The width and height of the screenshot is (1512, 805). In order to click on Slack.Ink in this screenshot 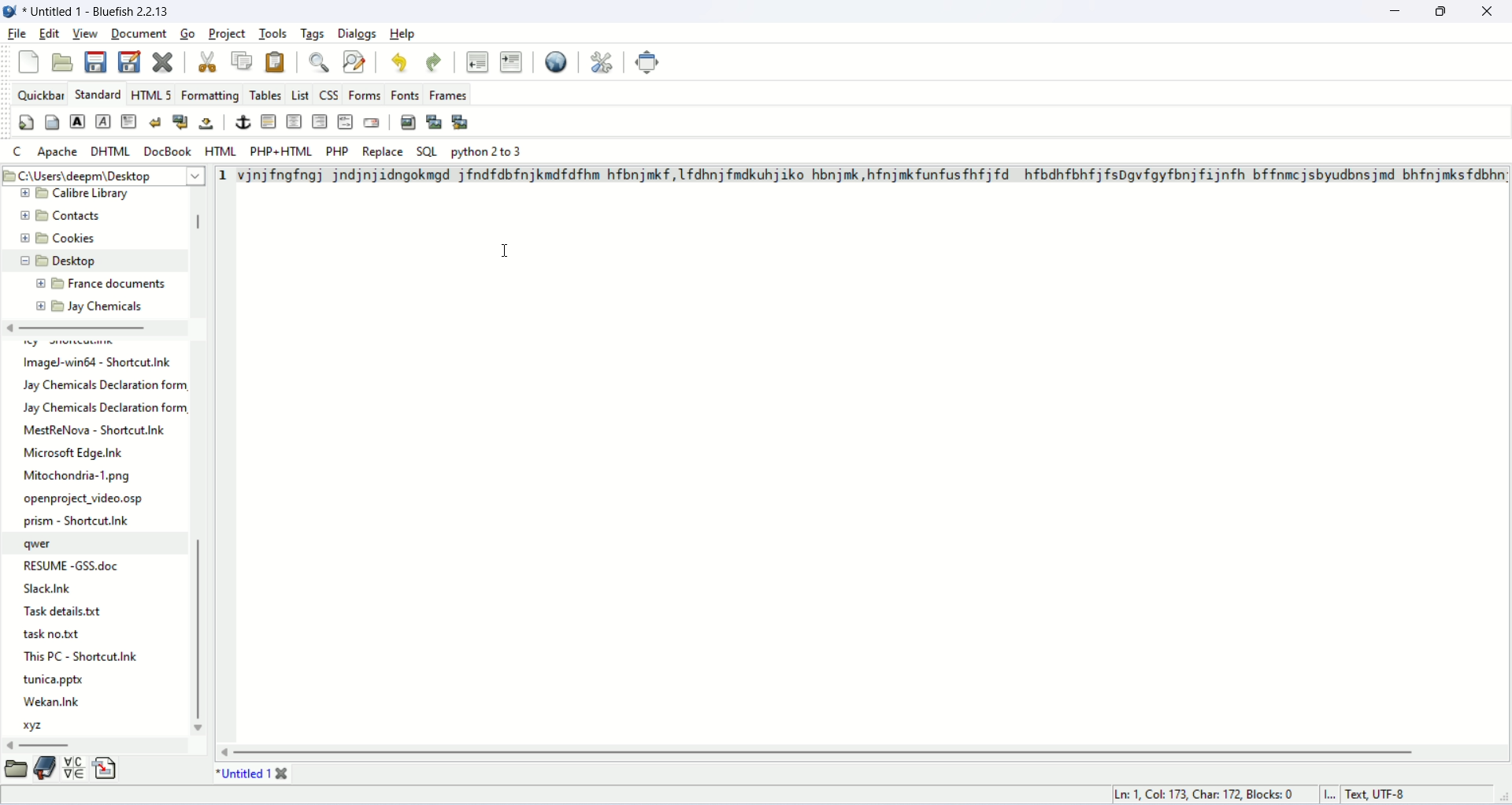, I will do `click(43, 589)`.